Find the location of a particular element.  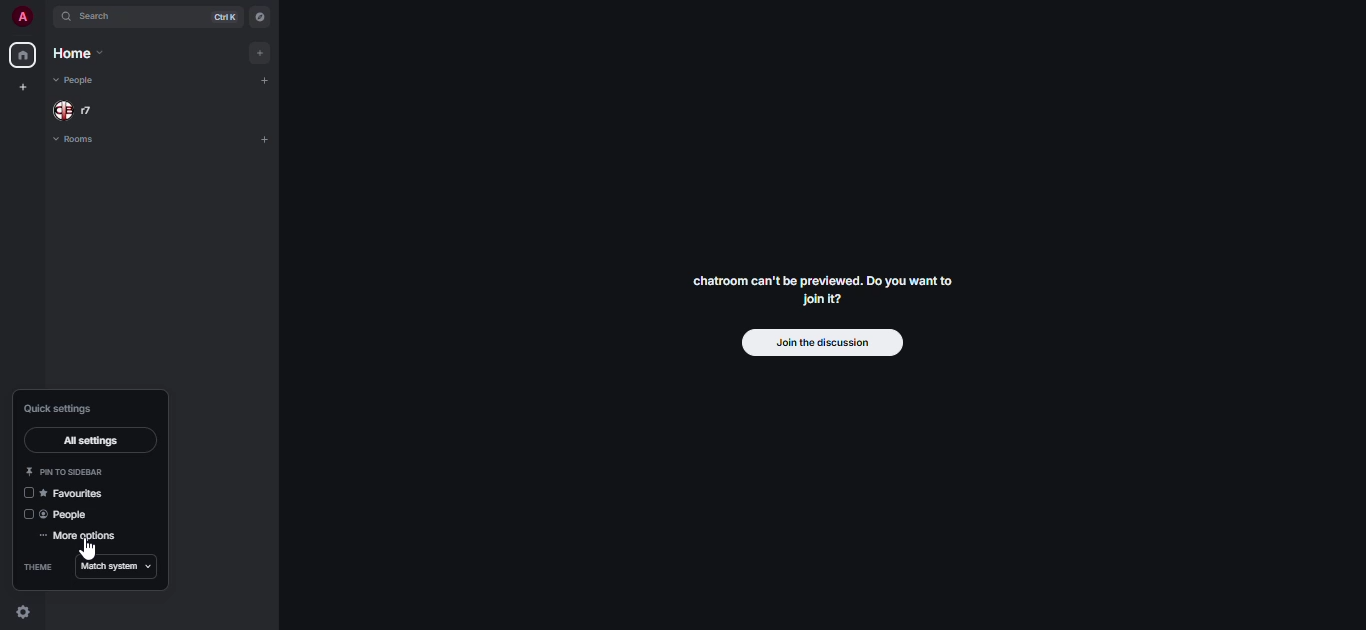

people is located at coordinates (76, 80).